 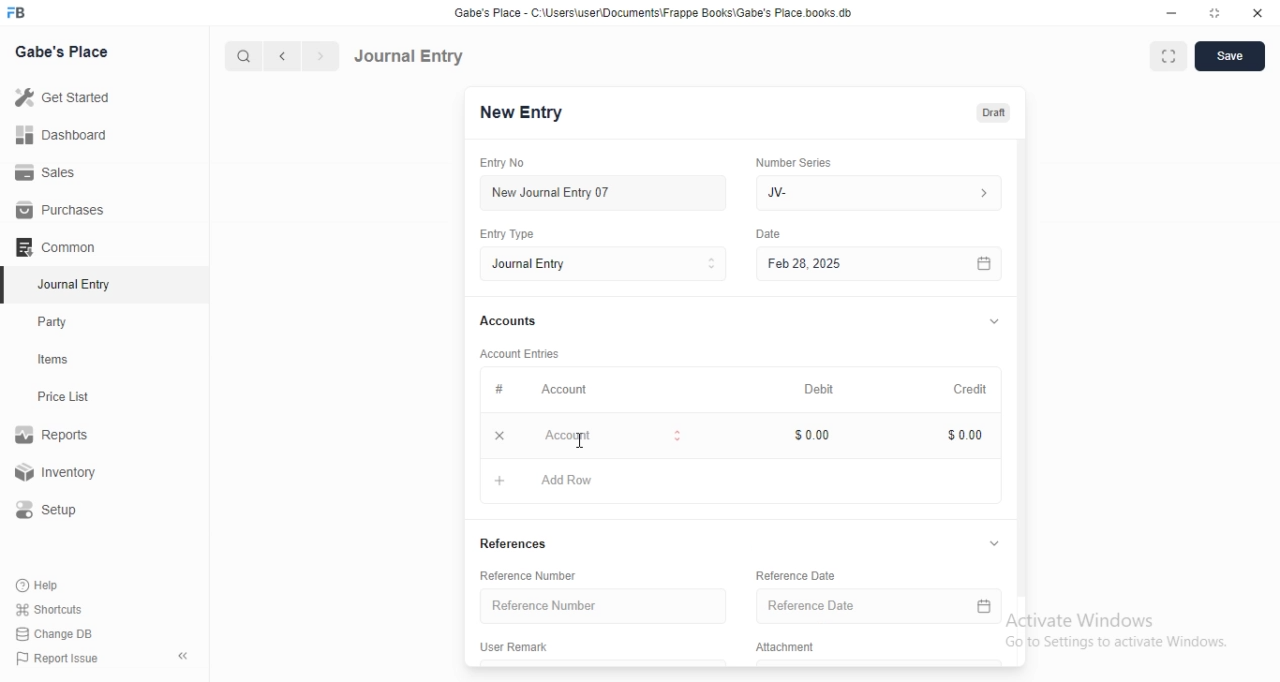 I want to click on ‘Change DB, so click(x=55, y=634).